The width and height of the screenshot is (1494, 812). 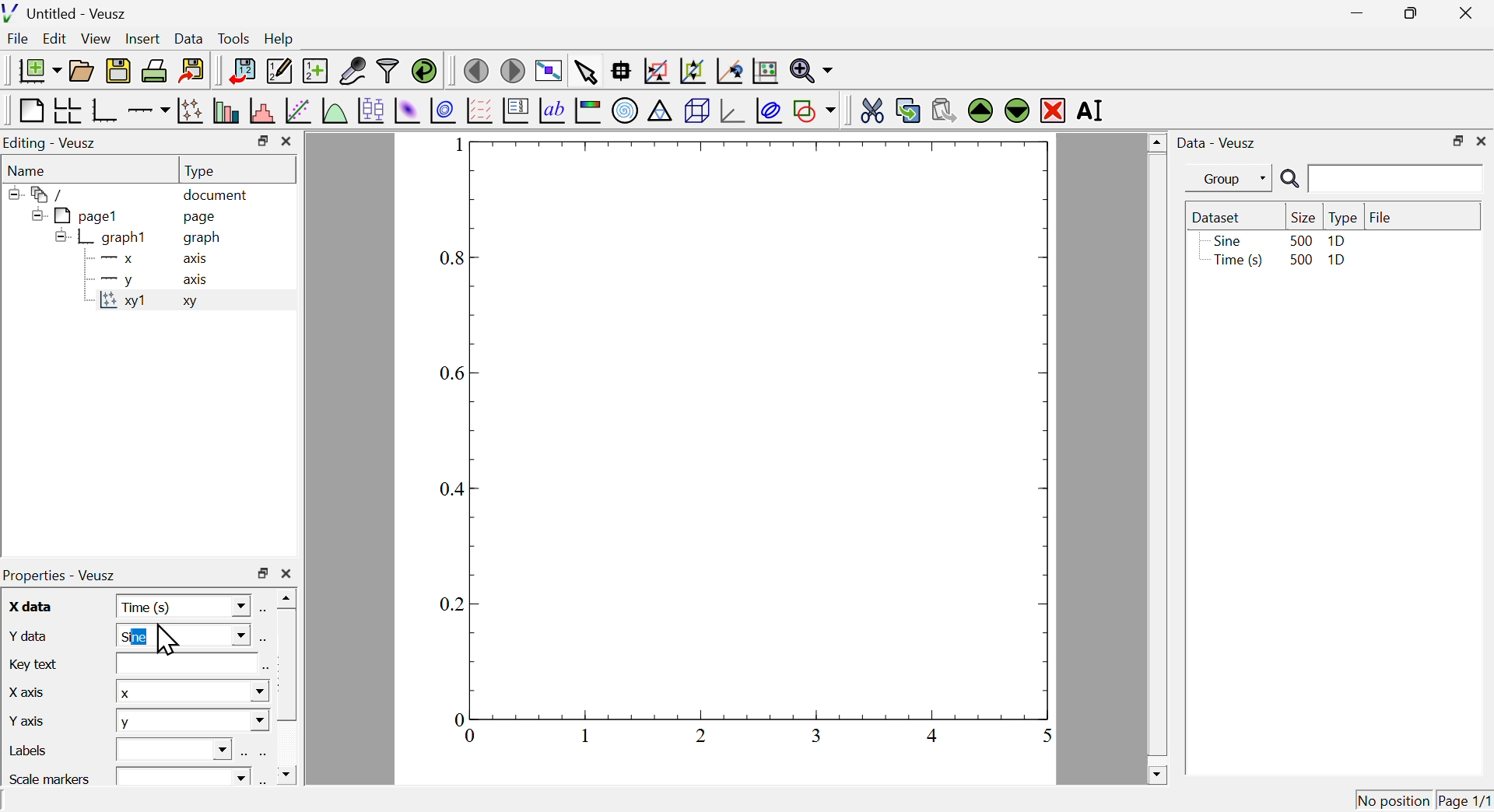 What do you see at coordinates (693, 71) in the screenshot?
I see `zoom out of graph axes` at bounding box center [693, 71].